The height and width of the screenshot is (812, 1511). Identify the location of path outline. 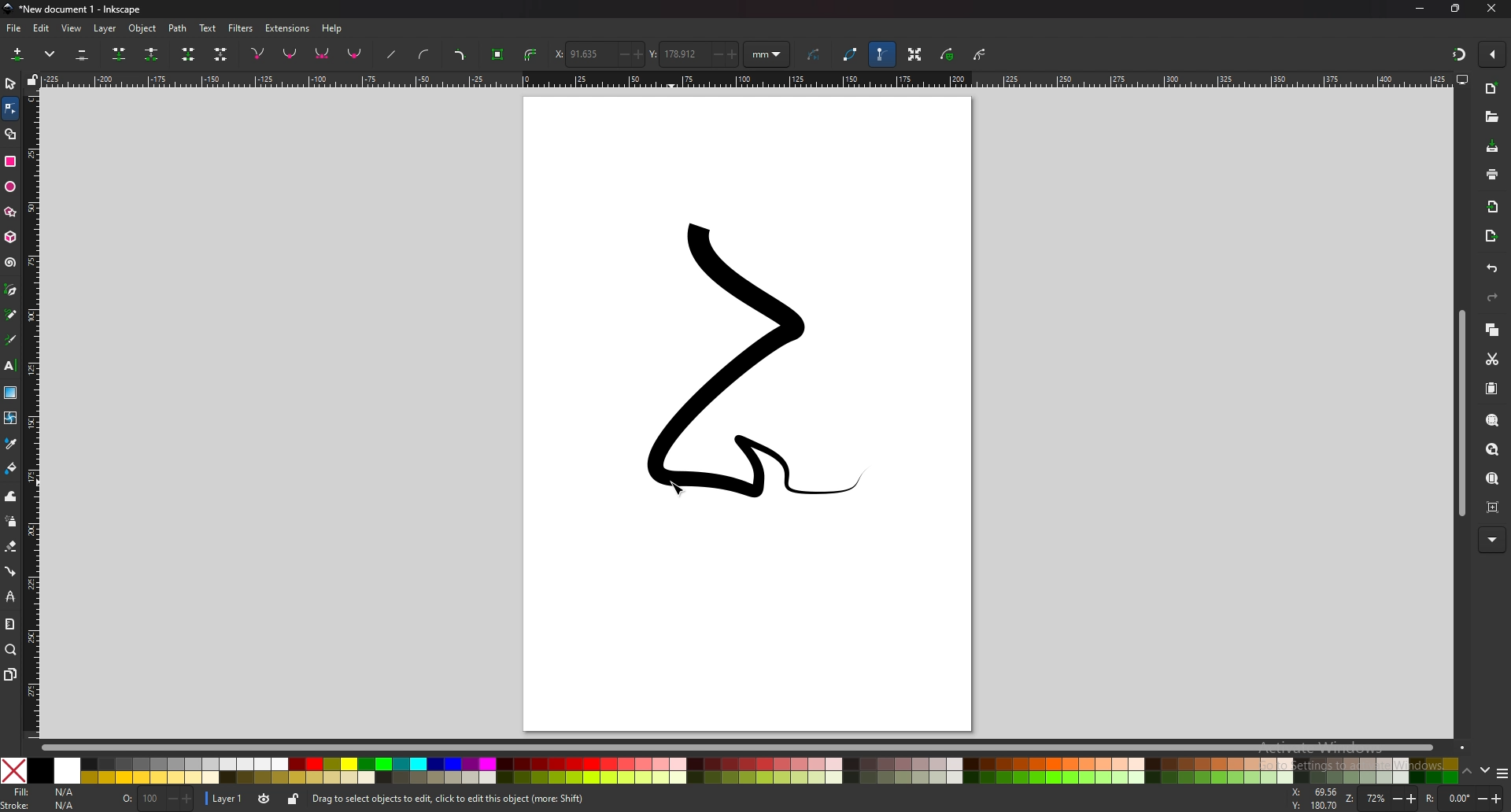
(852, 54).